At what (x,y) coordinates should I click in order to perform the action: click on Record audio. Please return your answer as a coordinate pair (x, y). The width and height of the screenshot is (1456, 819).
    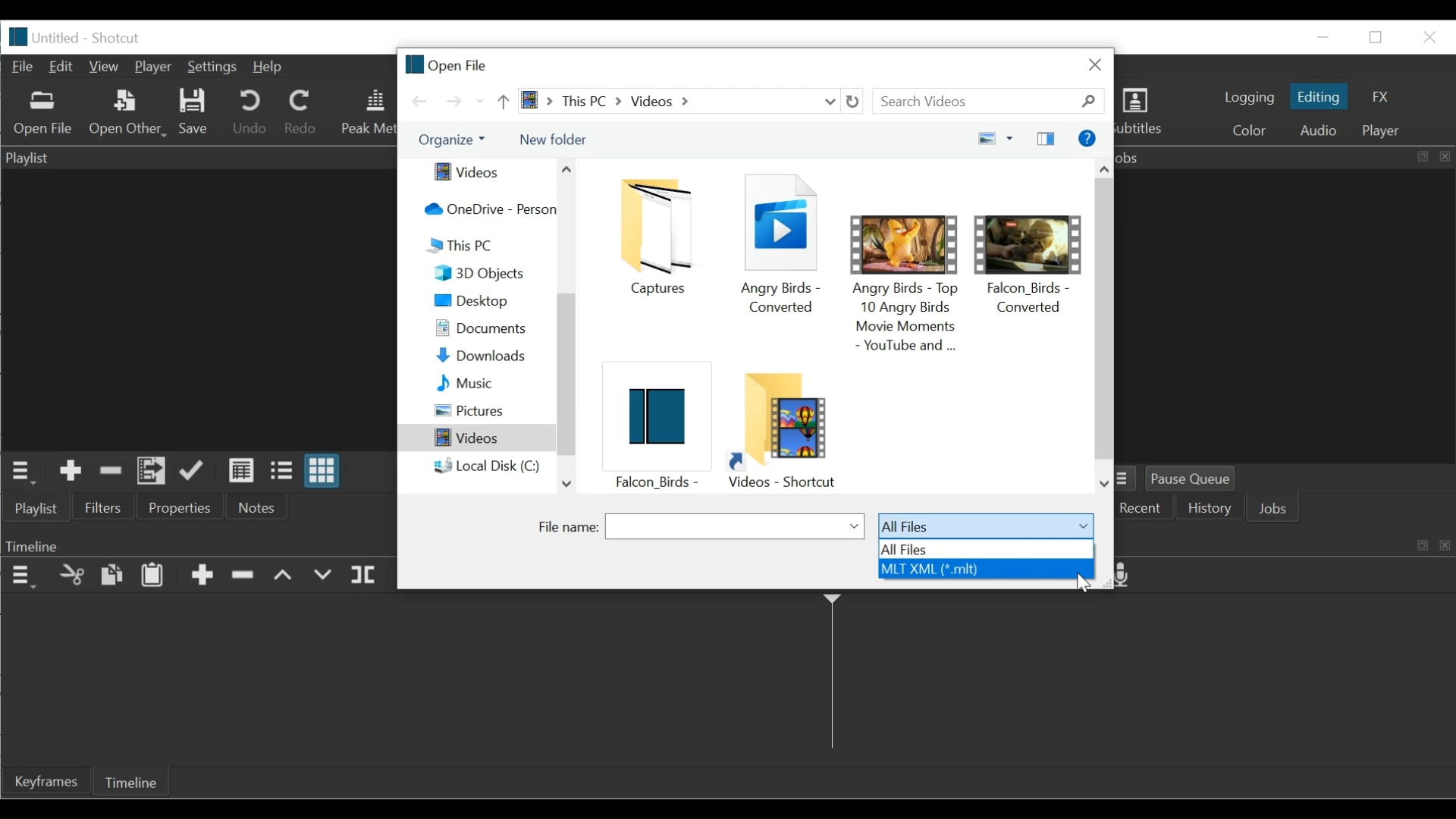
    Looking at the image, I should click on (1129, 576).